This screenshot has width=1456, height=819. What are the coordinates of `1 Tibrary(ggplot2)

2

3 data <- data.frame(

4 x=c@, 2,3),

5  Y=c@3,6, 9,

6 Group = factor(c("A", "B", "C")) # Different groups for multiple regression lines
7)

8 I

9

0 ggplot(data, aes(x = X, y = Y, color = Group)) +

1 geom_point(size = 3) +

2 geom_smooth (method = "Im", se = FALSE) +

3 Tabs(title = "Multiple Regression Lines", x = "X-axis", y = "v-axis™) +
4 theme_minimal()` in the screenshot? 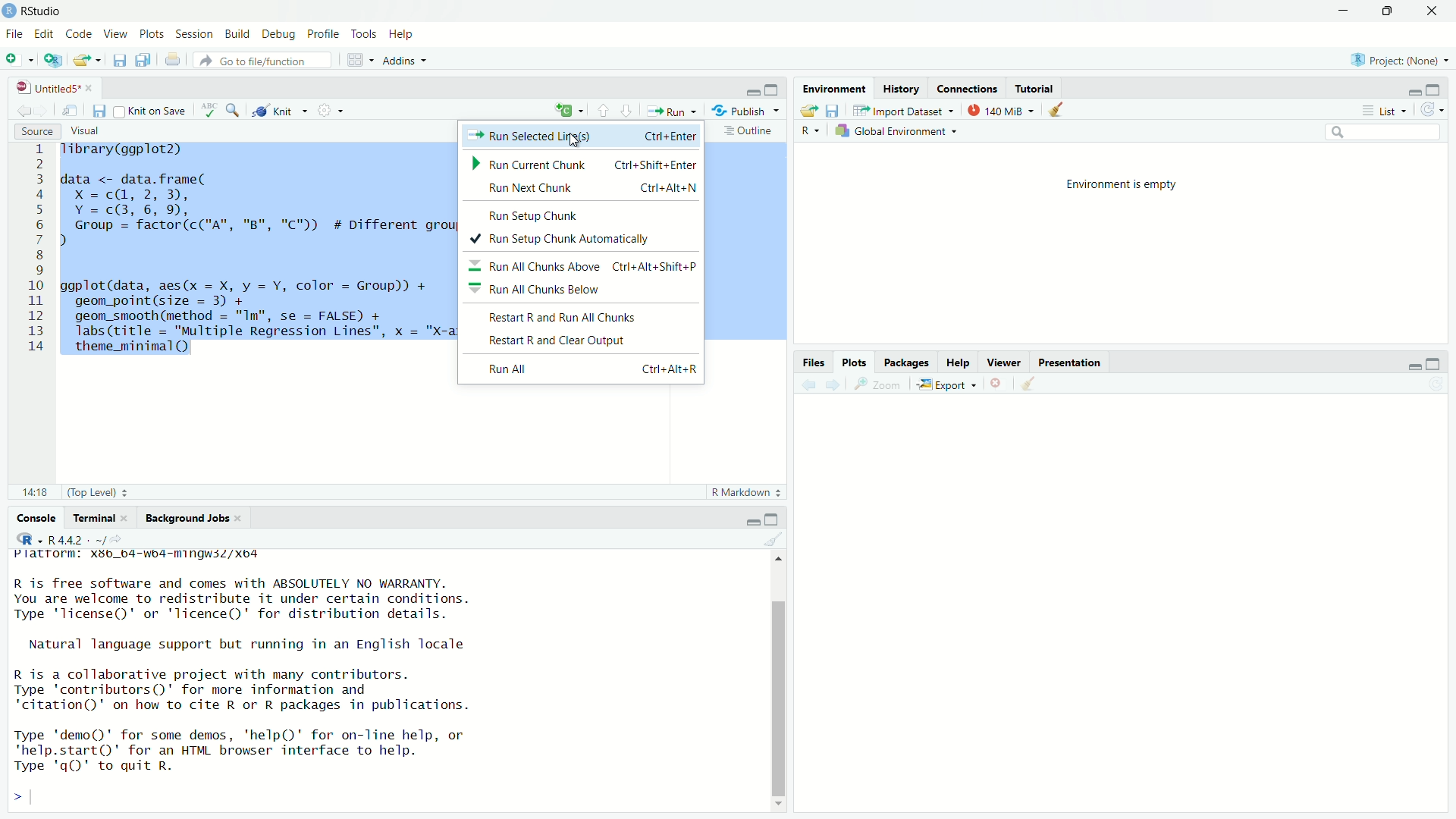 It's located at (243, 249).